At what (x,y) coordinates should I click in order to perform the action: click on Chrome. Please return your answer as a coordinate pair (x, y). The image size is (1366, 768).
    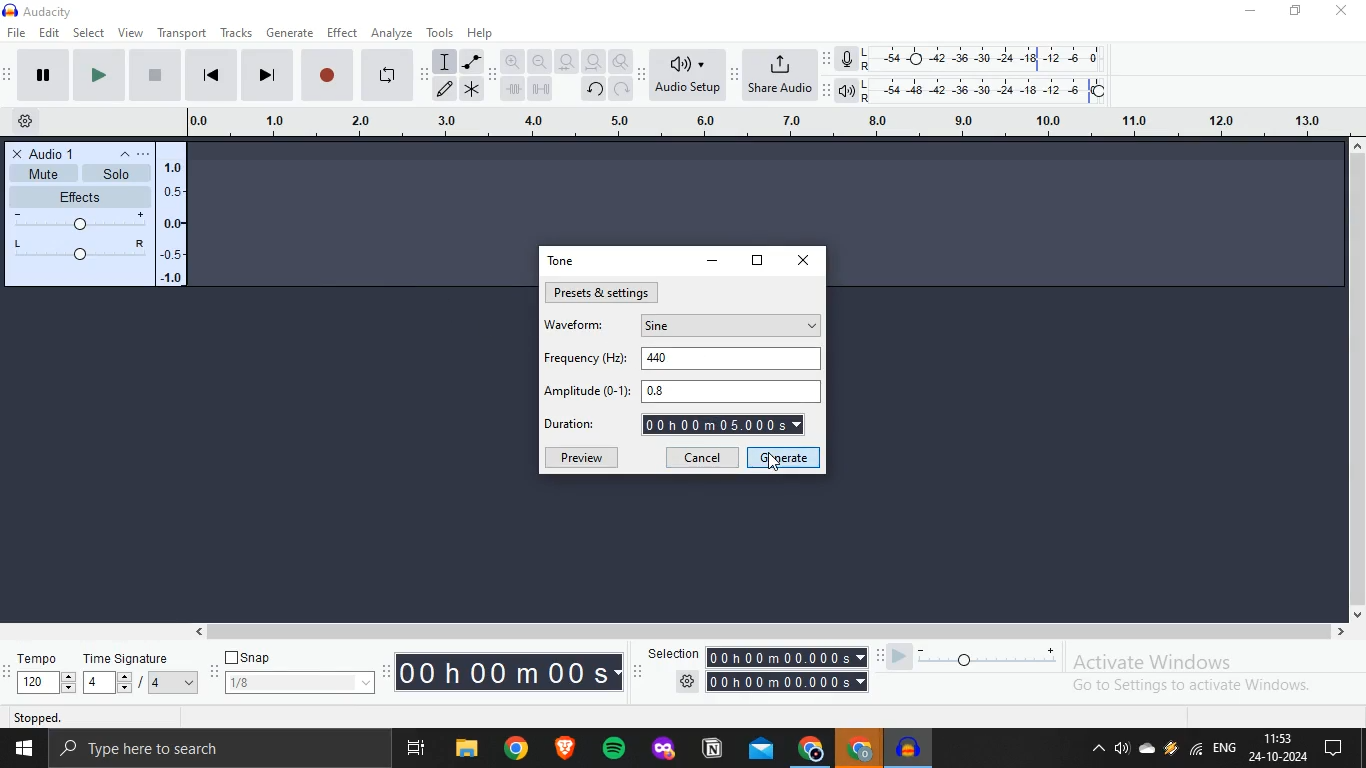
    Looking at the image, I should click on (520, 750).